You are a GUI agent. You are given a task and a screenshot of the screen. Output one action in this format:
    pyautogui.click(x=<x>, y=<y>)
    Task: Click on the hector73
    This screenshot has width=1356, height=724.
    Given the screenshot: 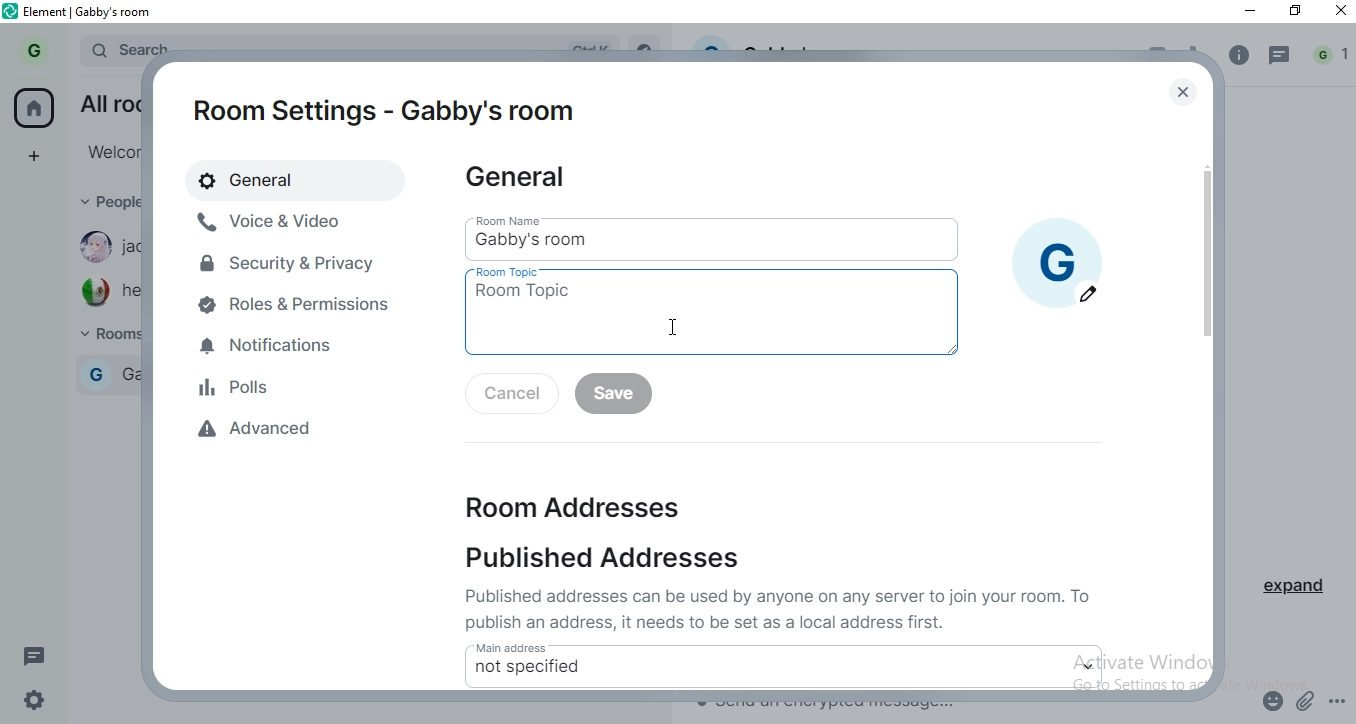 What is the action you would take?
    pyautogui.click(x=106, y=292)
    